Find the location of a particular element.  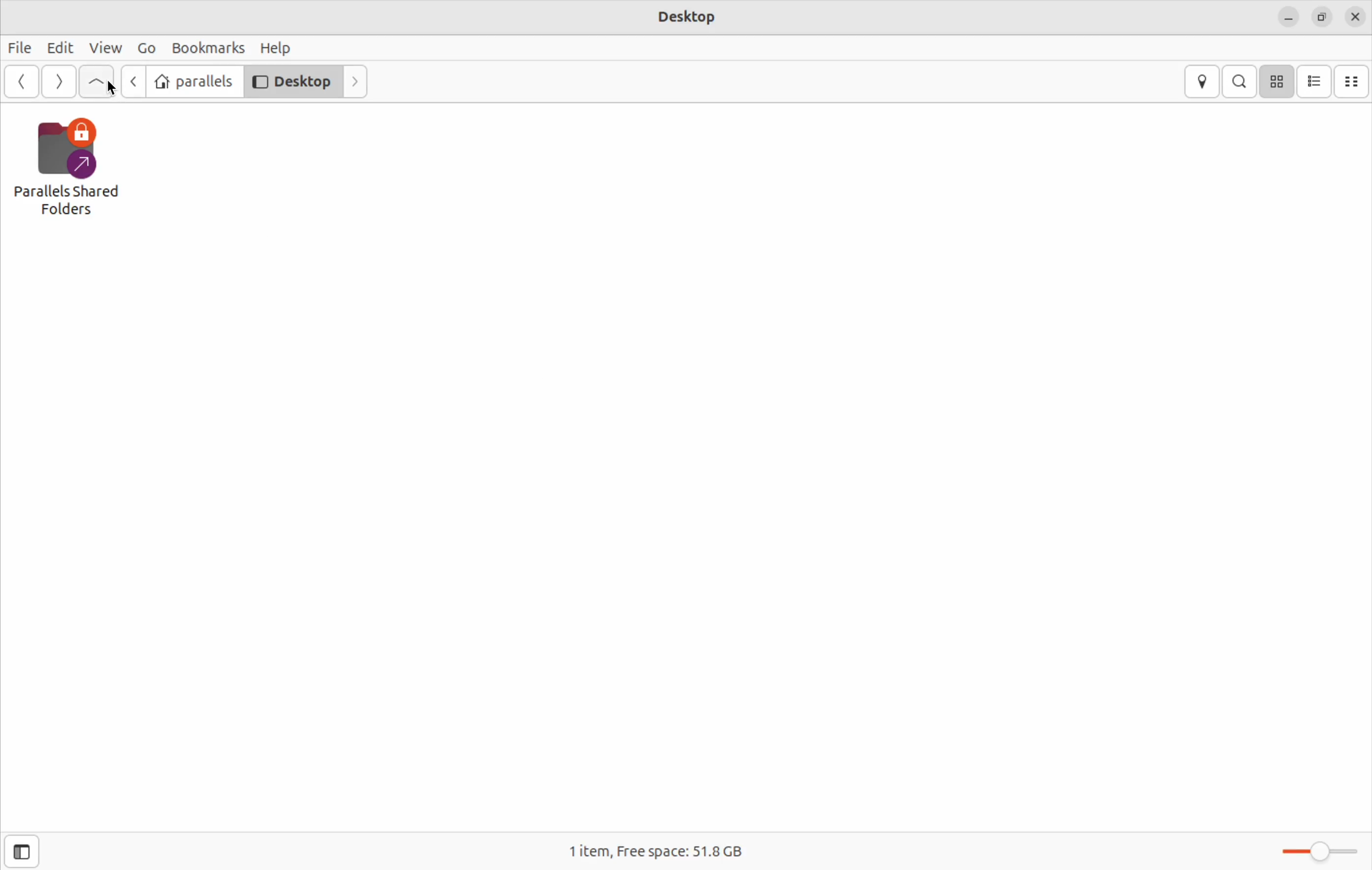

parallels home is located at coordinates (191, 80).